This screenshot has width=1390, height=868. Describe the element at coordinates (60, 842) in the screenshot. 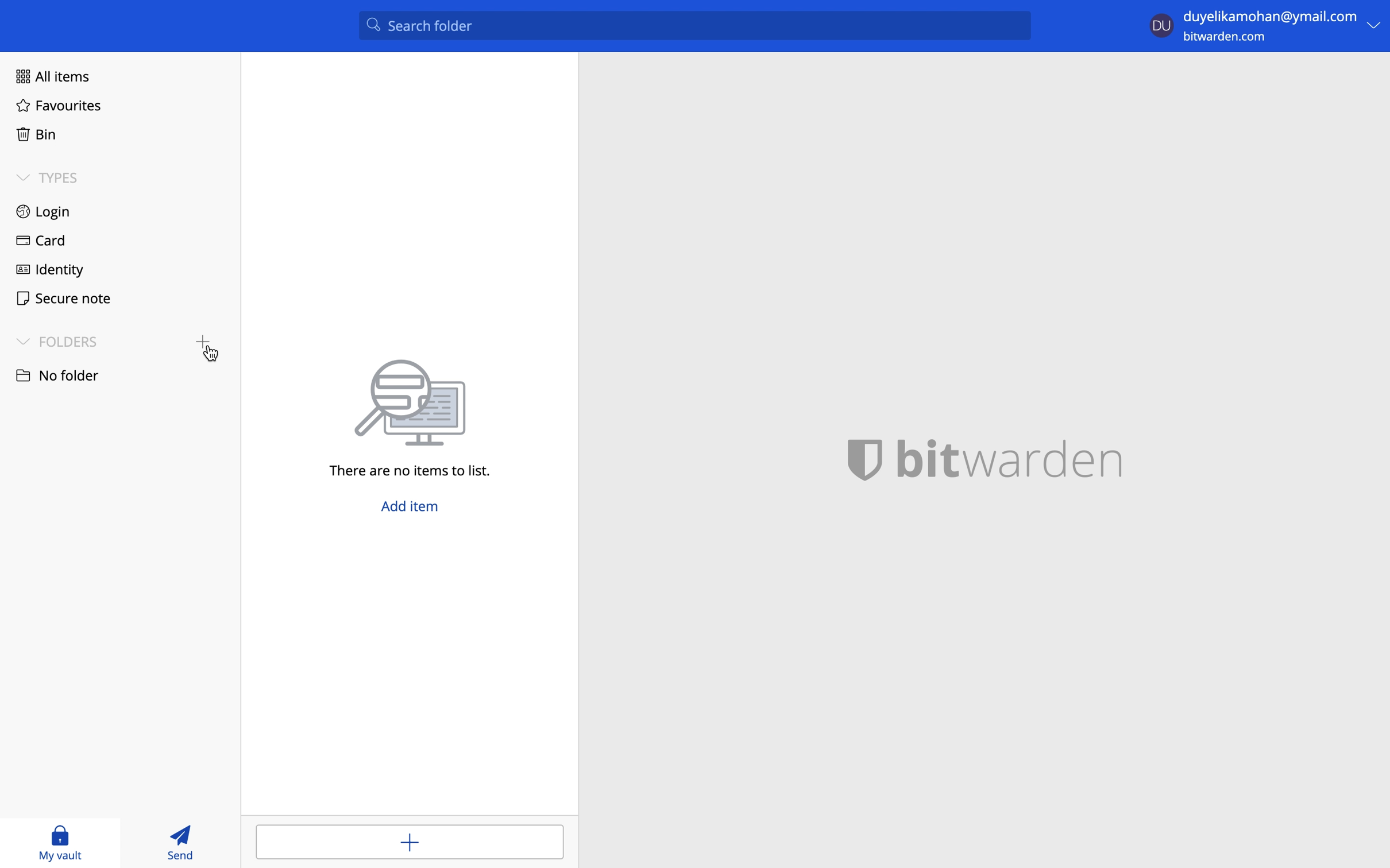

I see `my vault` at that location.